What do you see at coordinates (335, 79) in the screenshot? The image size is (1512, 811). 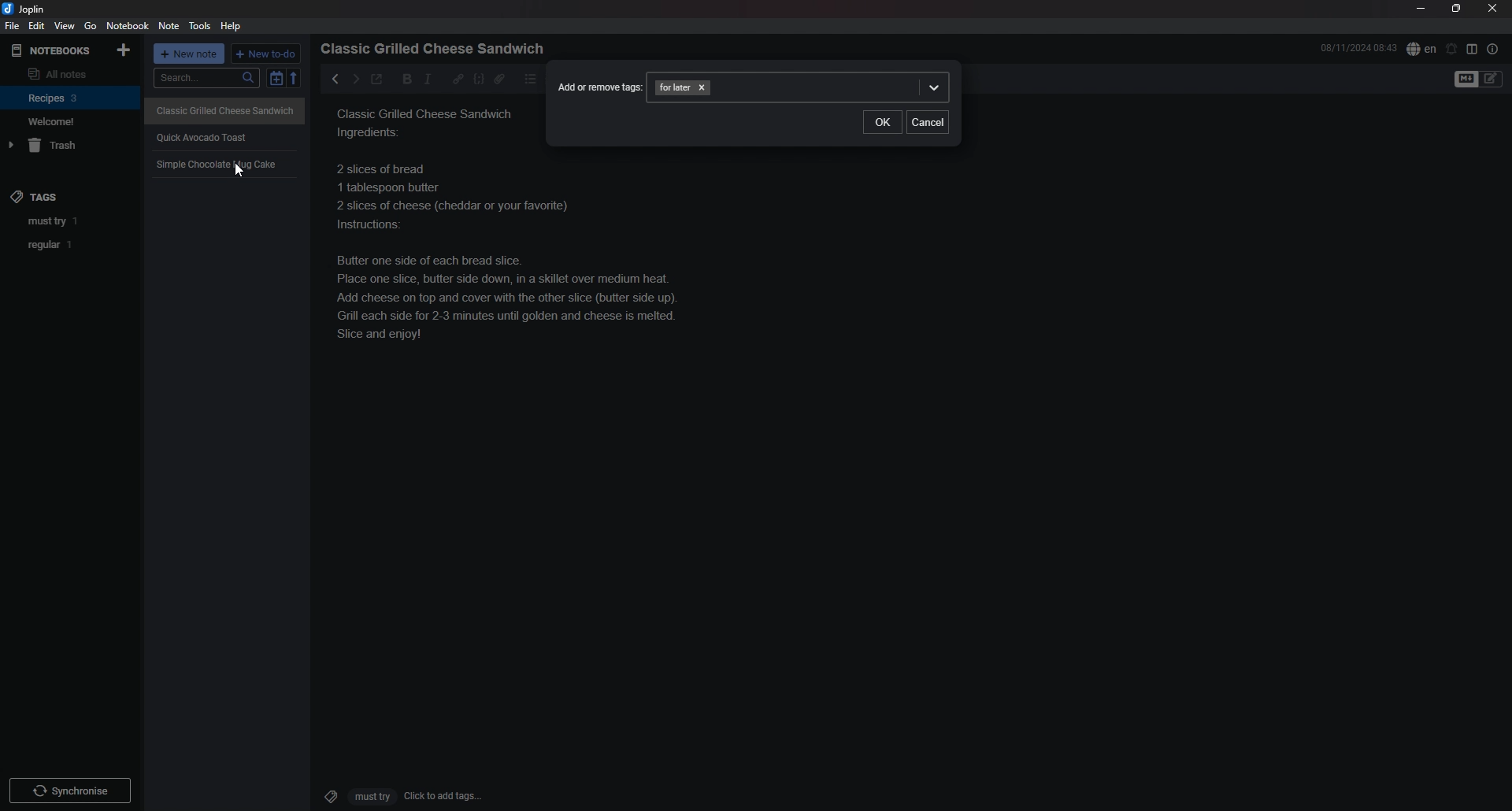 I see `previous` at bounding box center [335, 79].